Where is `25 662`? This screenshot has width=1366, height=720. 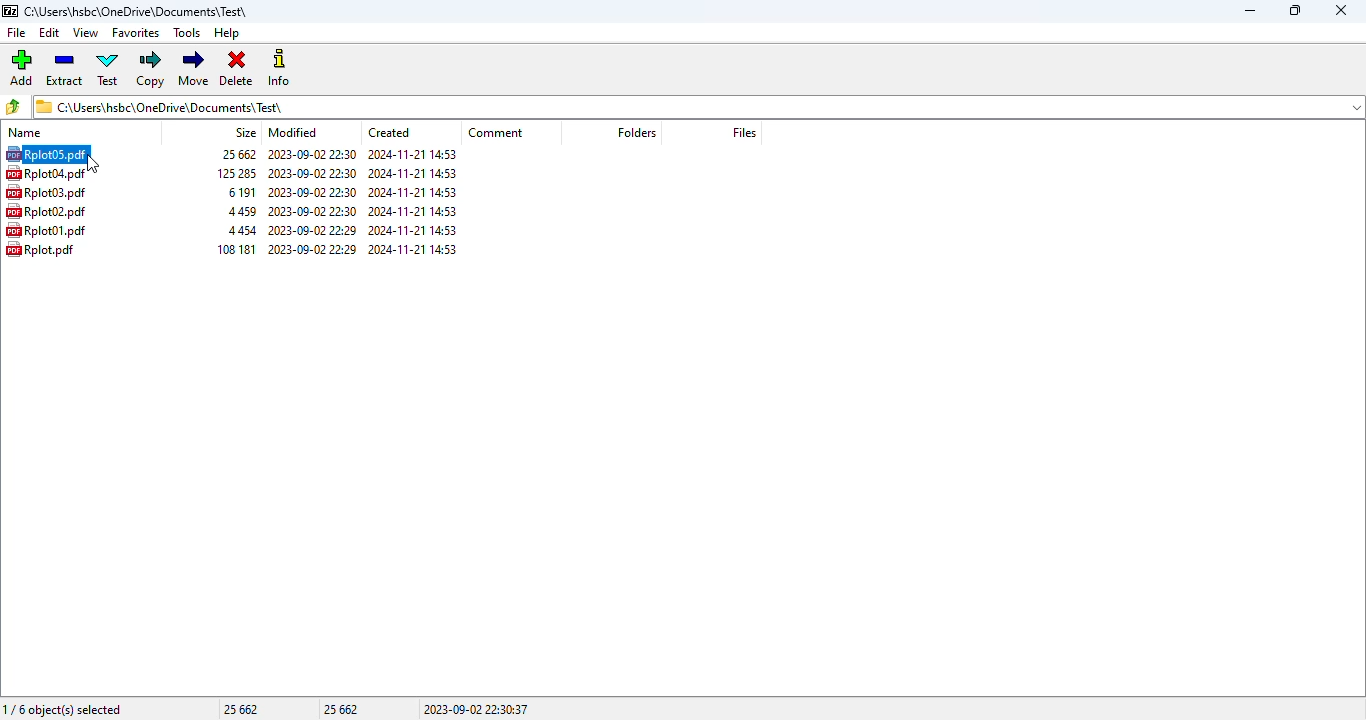 25 662 is located at coordinates (341, 709).